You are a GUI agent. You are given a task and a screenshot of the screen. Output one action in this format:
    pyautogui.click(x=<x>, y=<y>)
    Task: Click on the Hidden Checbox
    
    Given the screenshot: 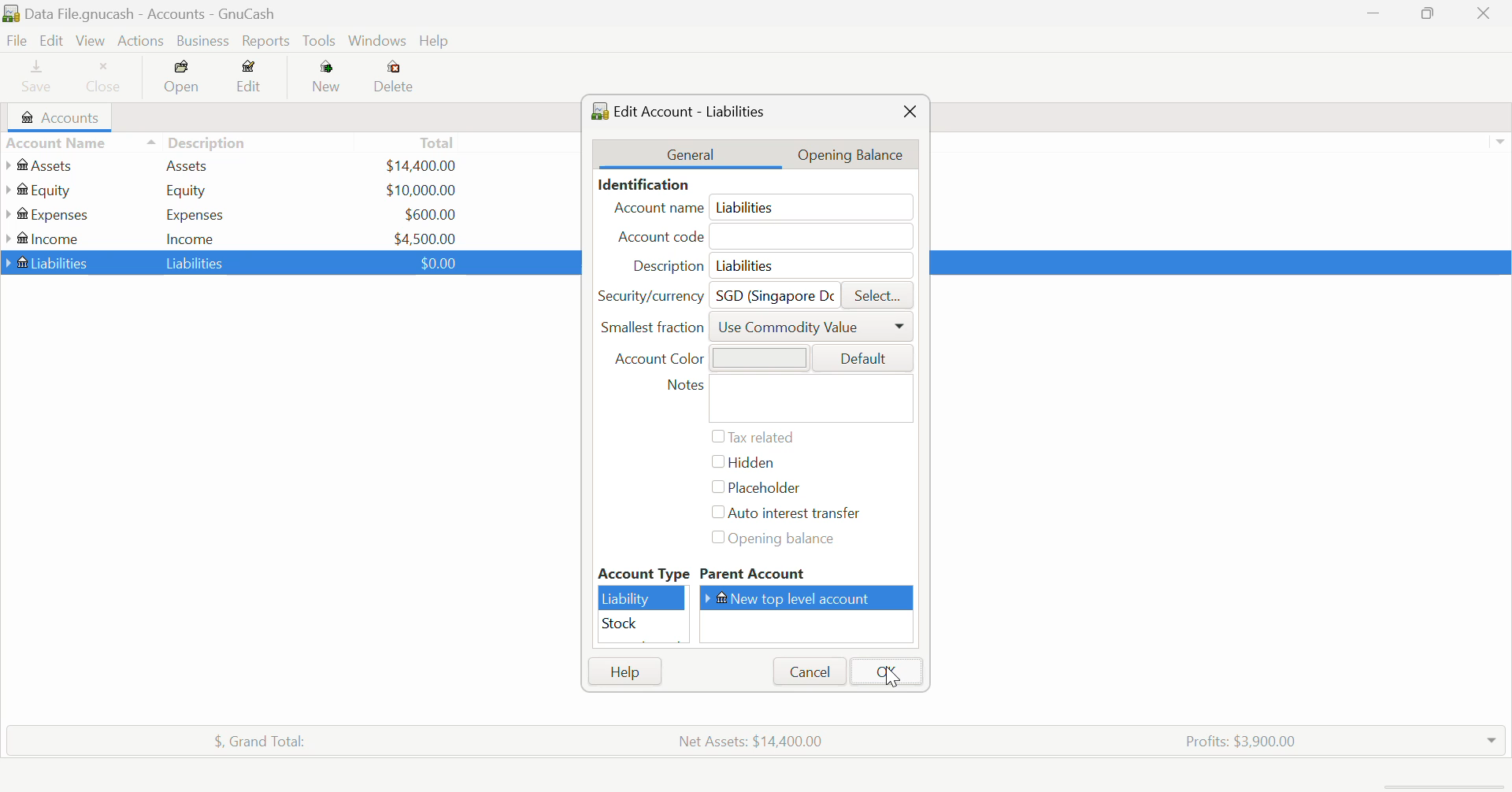 What is the action you would take?
    pyautogui.click(x=741, y=465)
    